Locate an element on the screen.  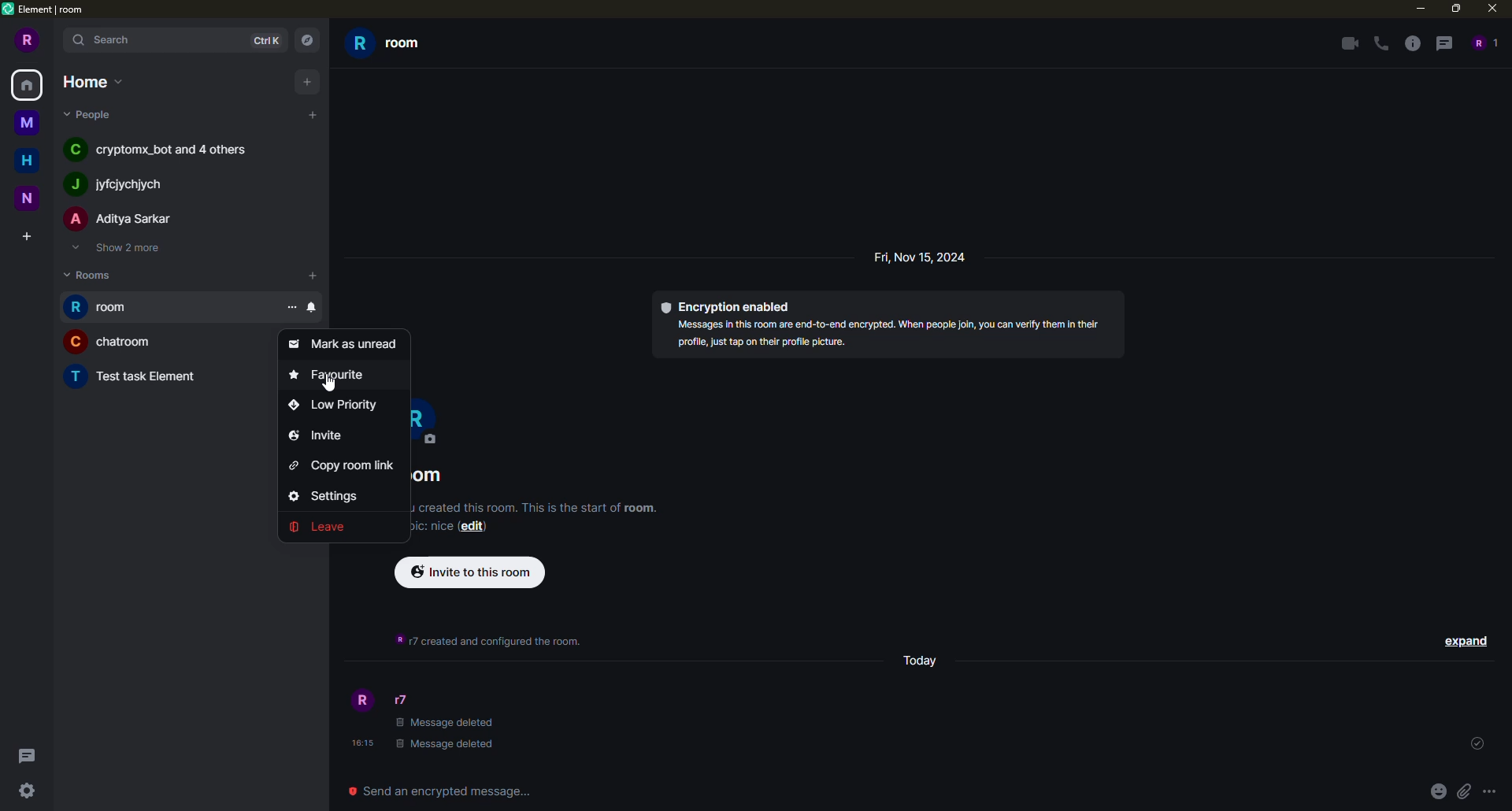
favorite is located at coordinates (334, 374).